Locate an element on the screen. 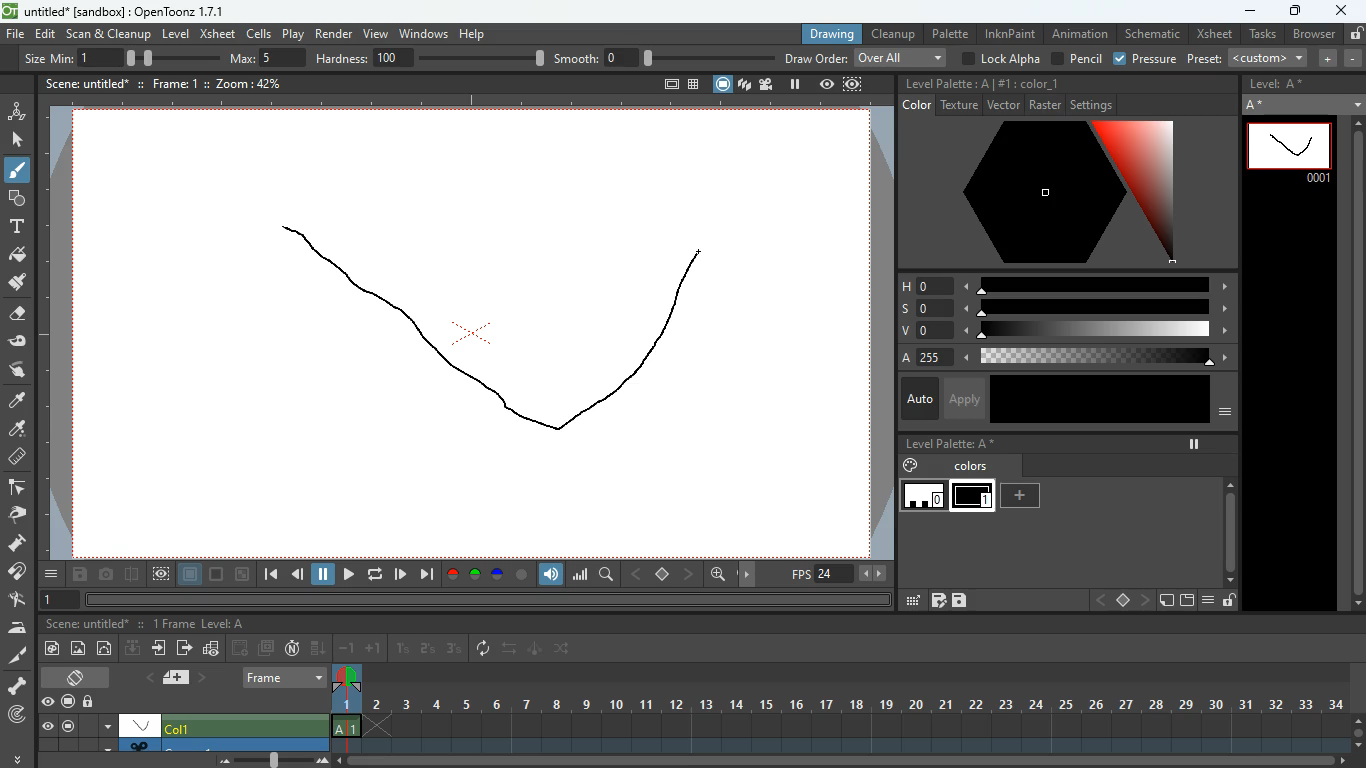  right is located at coordinates (750, 575).